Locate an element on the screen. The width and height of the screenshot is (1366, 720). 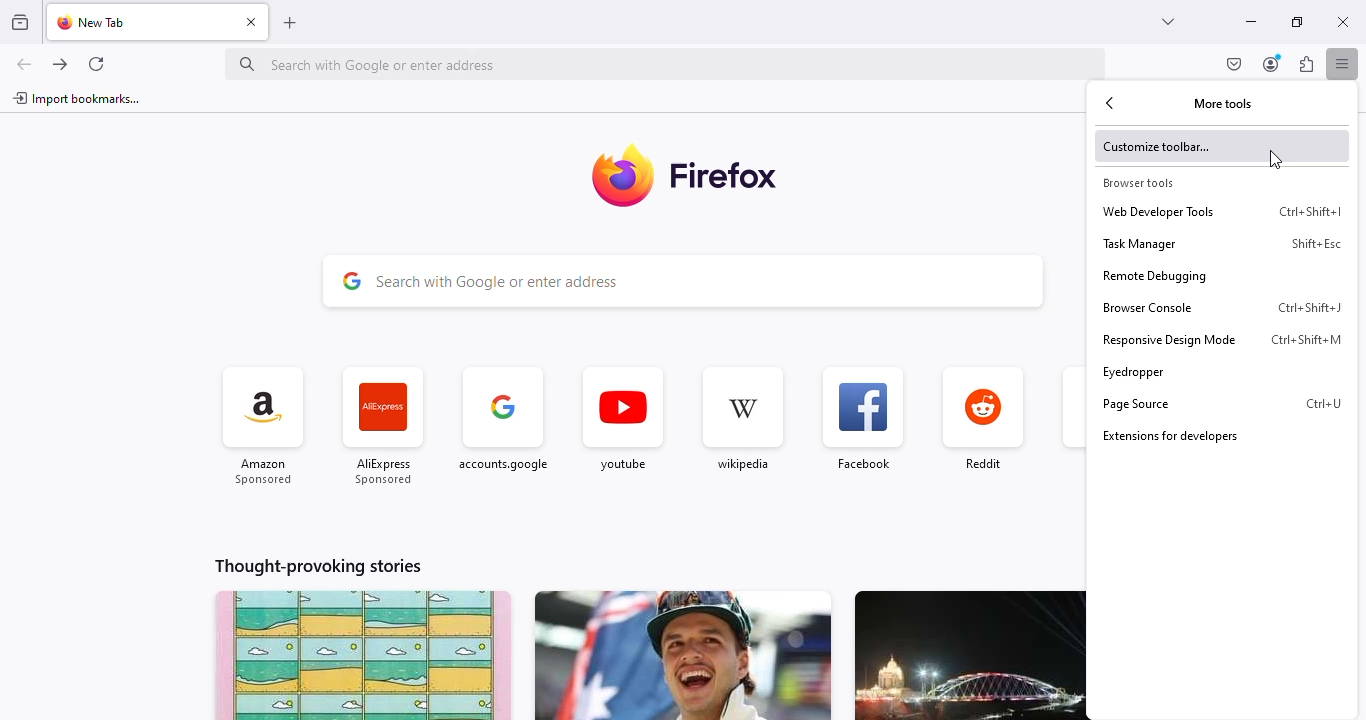
story is located at coordinates (363, 655).